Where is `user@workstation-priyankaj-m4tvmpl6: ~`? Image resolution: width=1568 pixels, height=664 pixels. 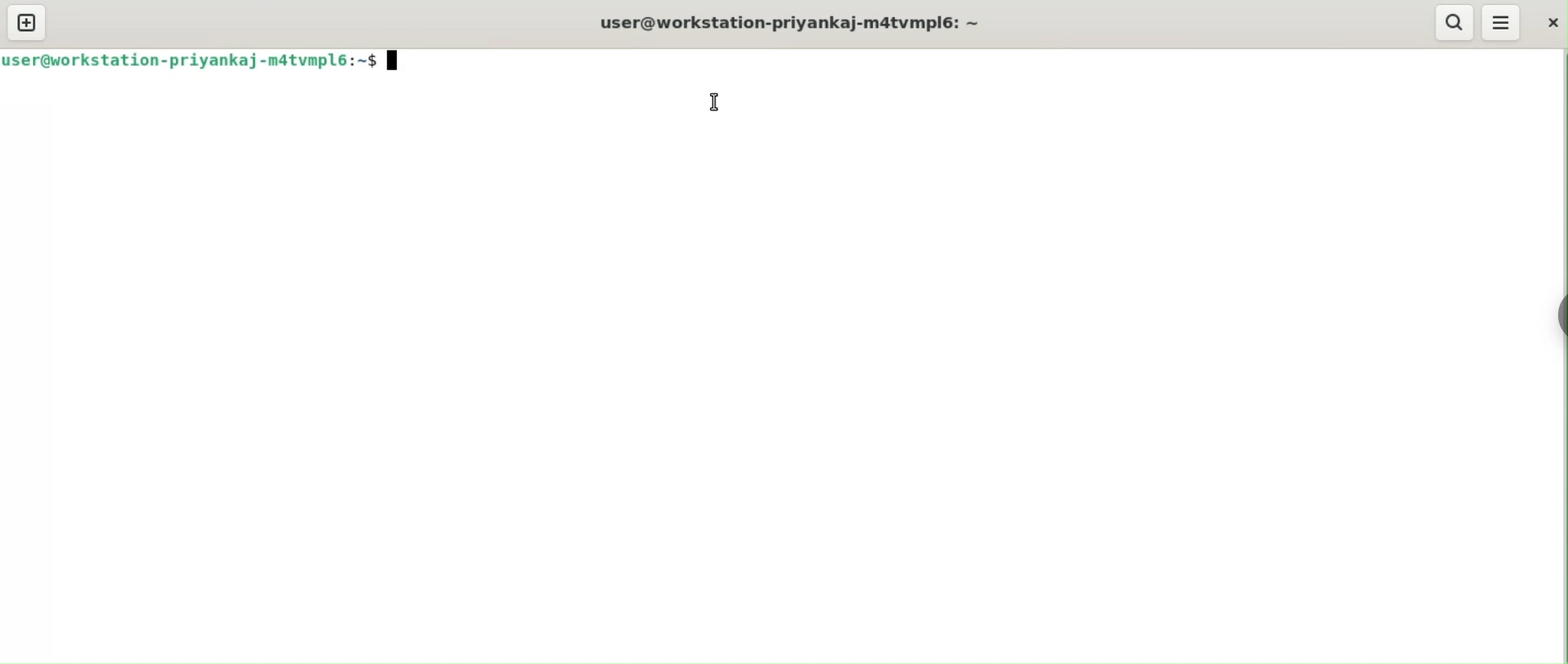
user@workstation-priyankaj-m4tvmpl6: ~ is located at coordinates (805, 25).